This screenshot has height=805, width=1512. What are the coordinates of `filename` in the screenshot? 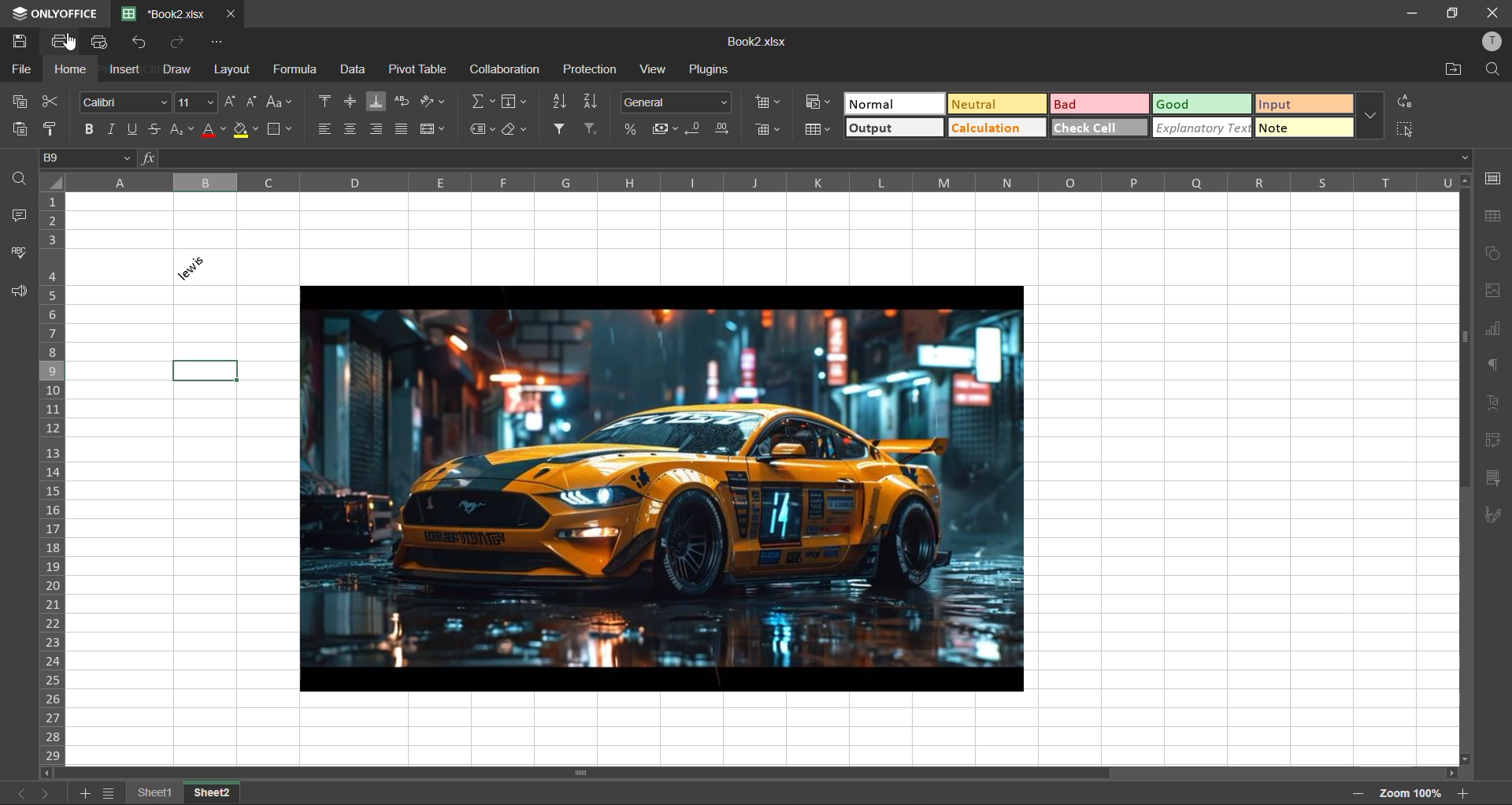 It's located at (166, 13).